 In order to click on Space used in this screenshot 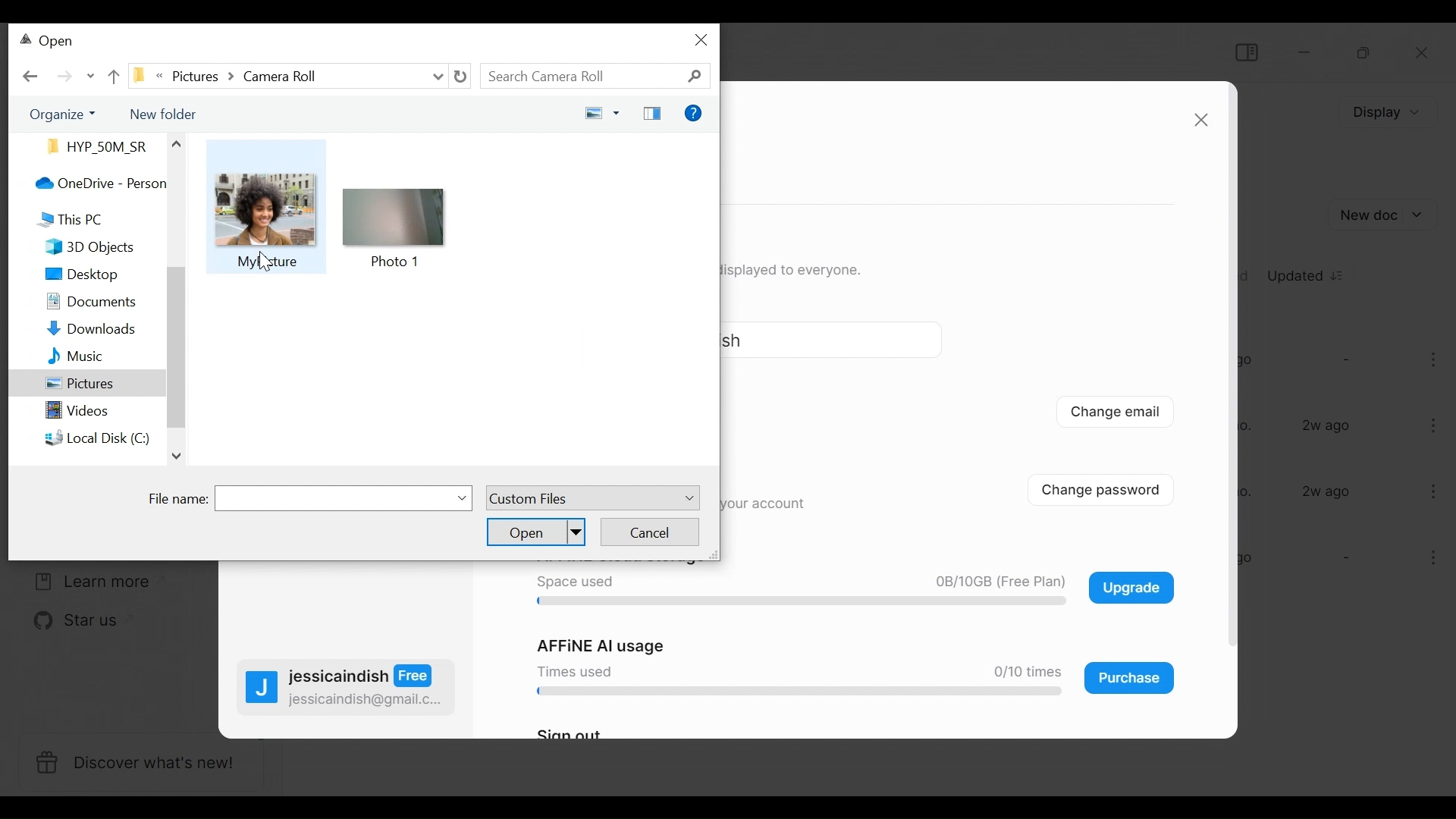, I will do `click(573, 582)`.